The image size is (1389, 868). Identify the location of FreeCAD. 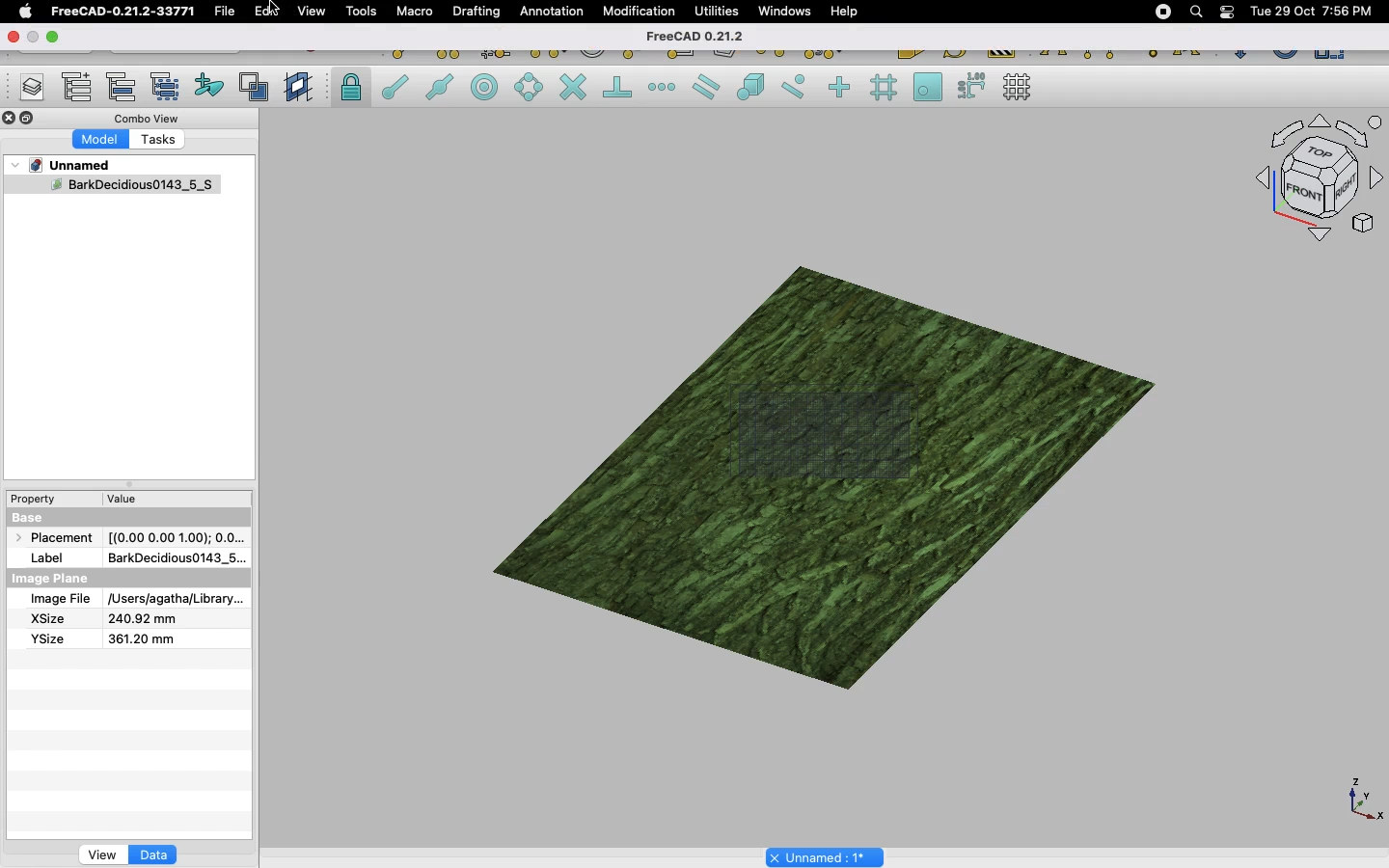
(124, 12).